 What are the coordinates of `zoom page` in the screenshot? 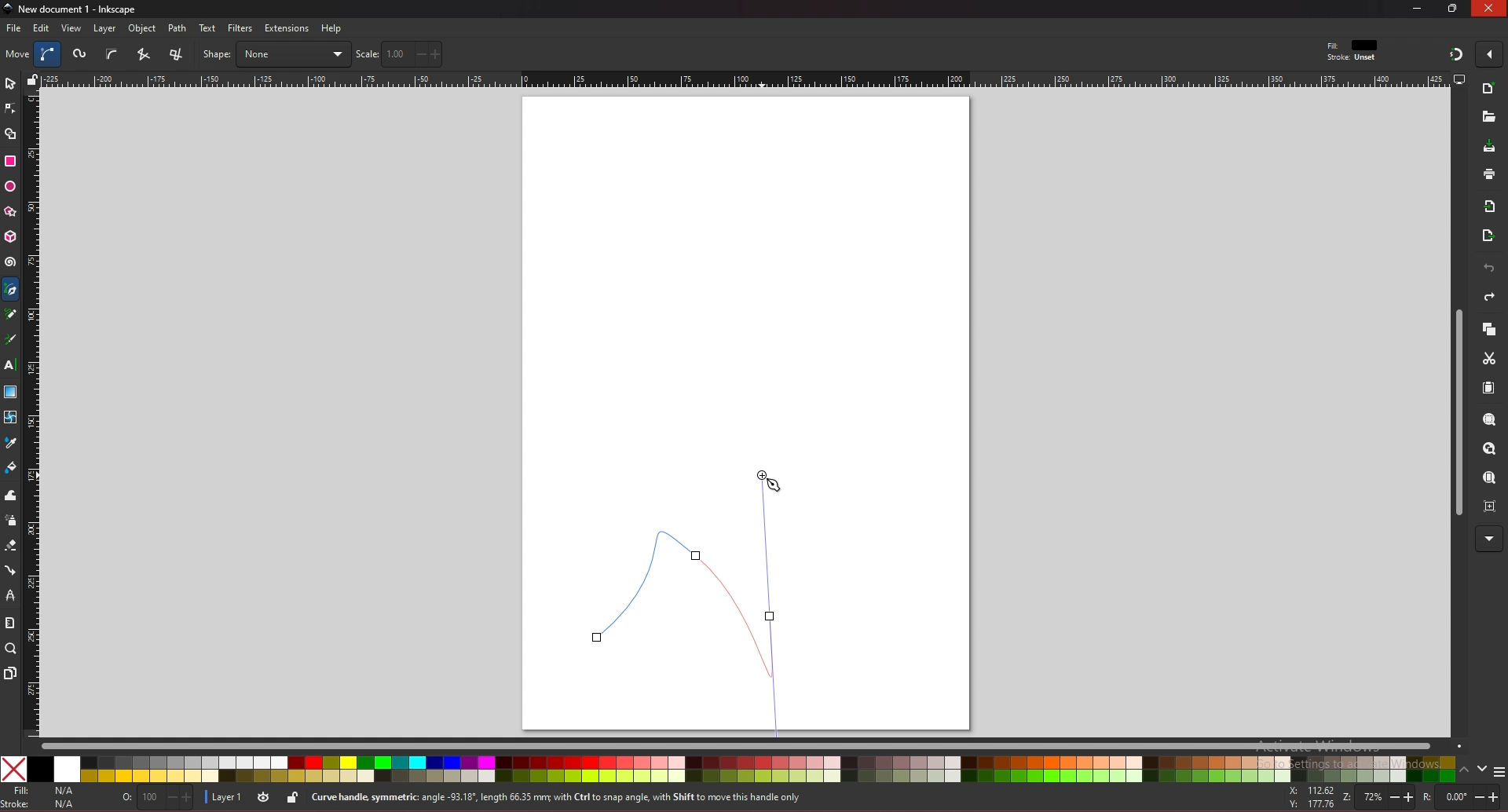 It's located at (1488, 479).